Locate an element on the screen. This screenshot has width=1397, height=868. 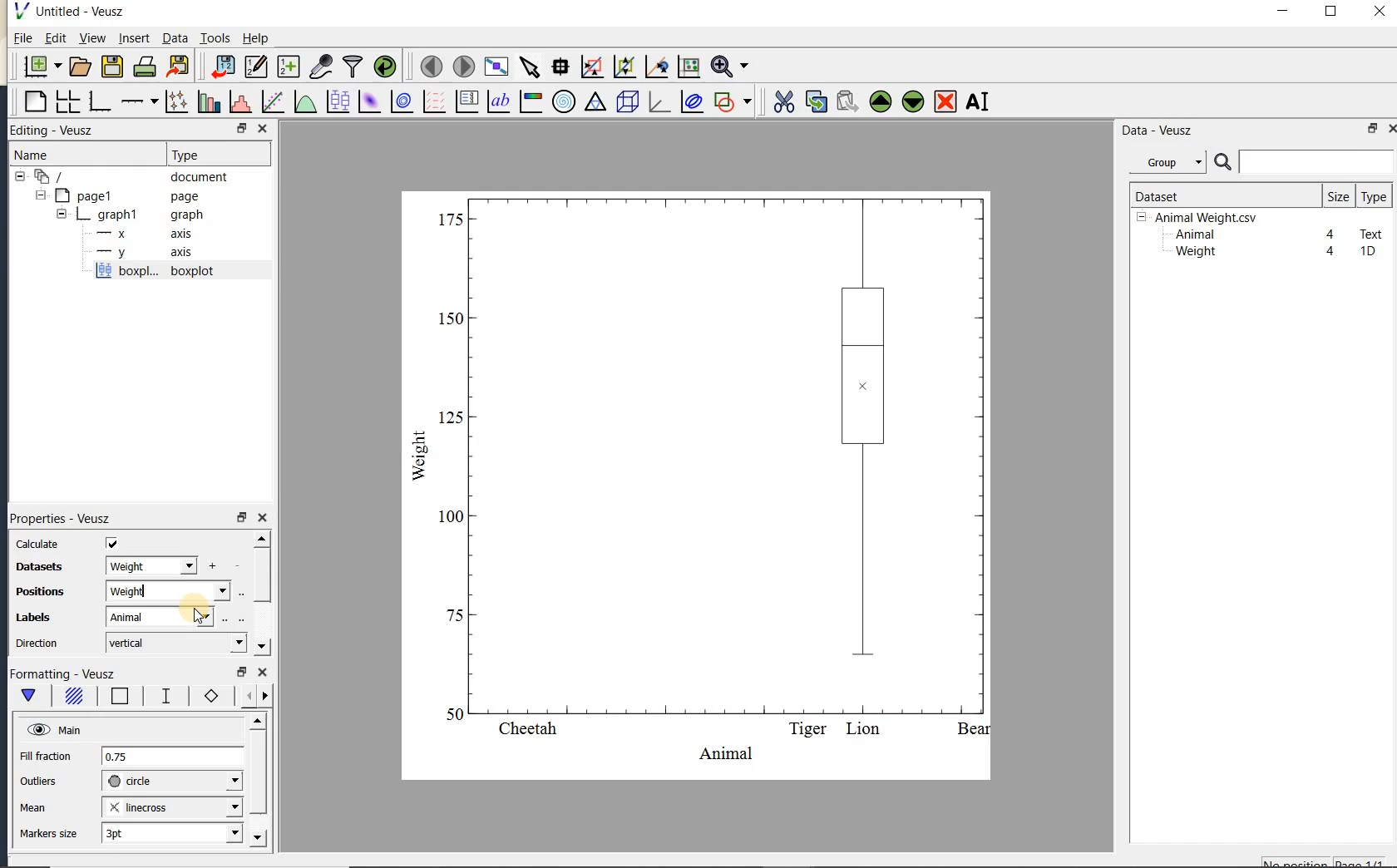
box fill is located at coordinates (72, 697).